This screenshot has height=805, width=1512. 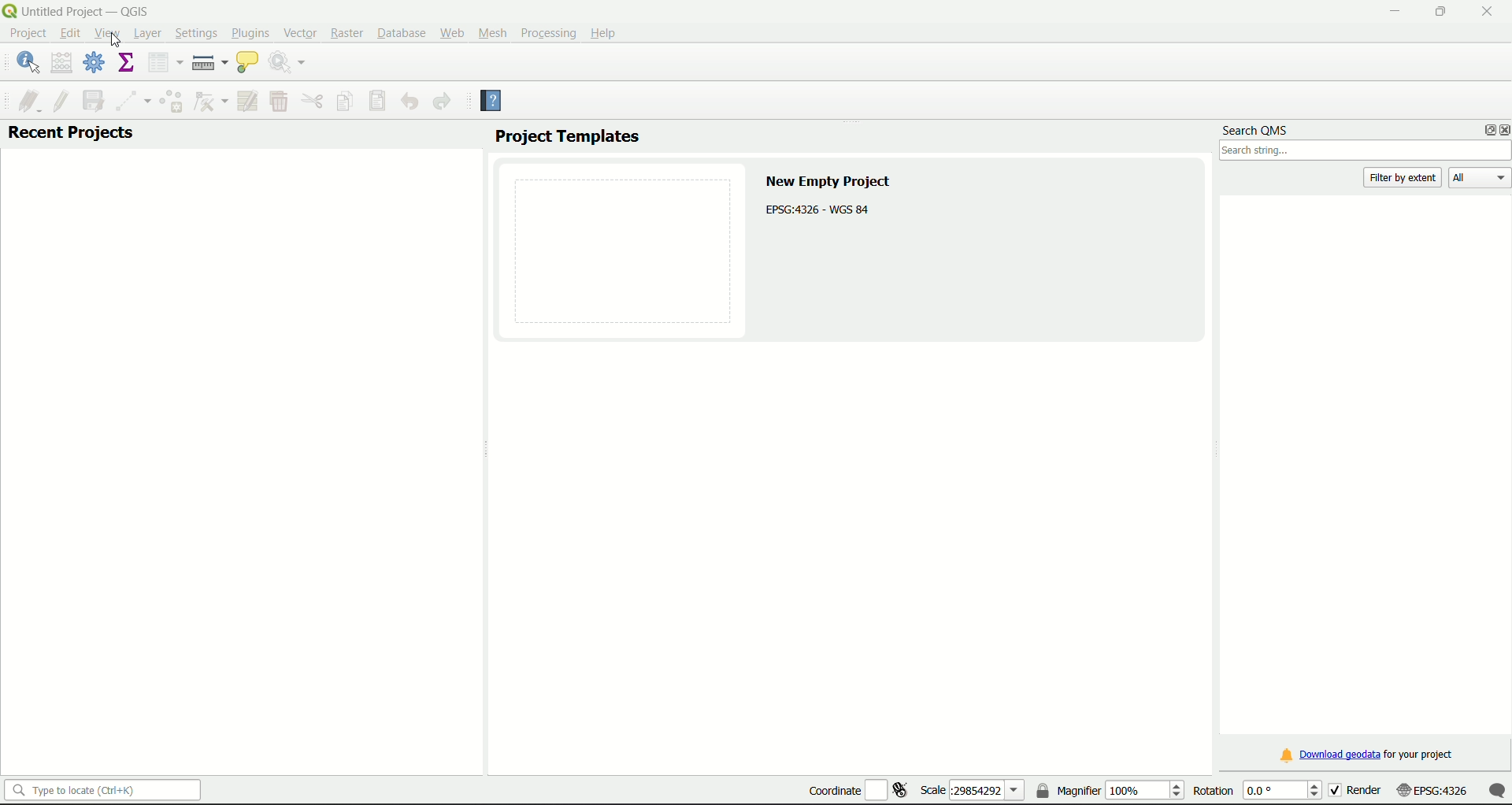 I want to click on Help, so click(x=498, y=103).